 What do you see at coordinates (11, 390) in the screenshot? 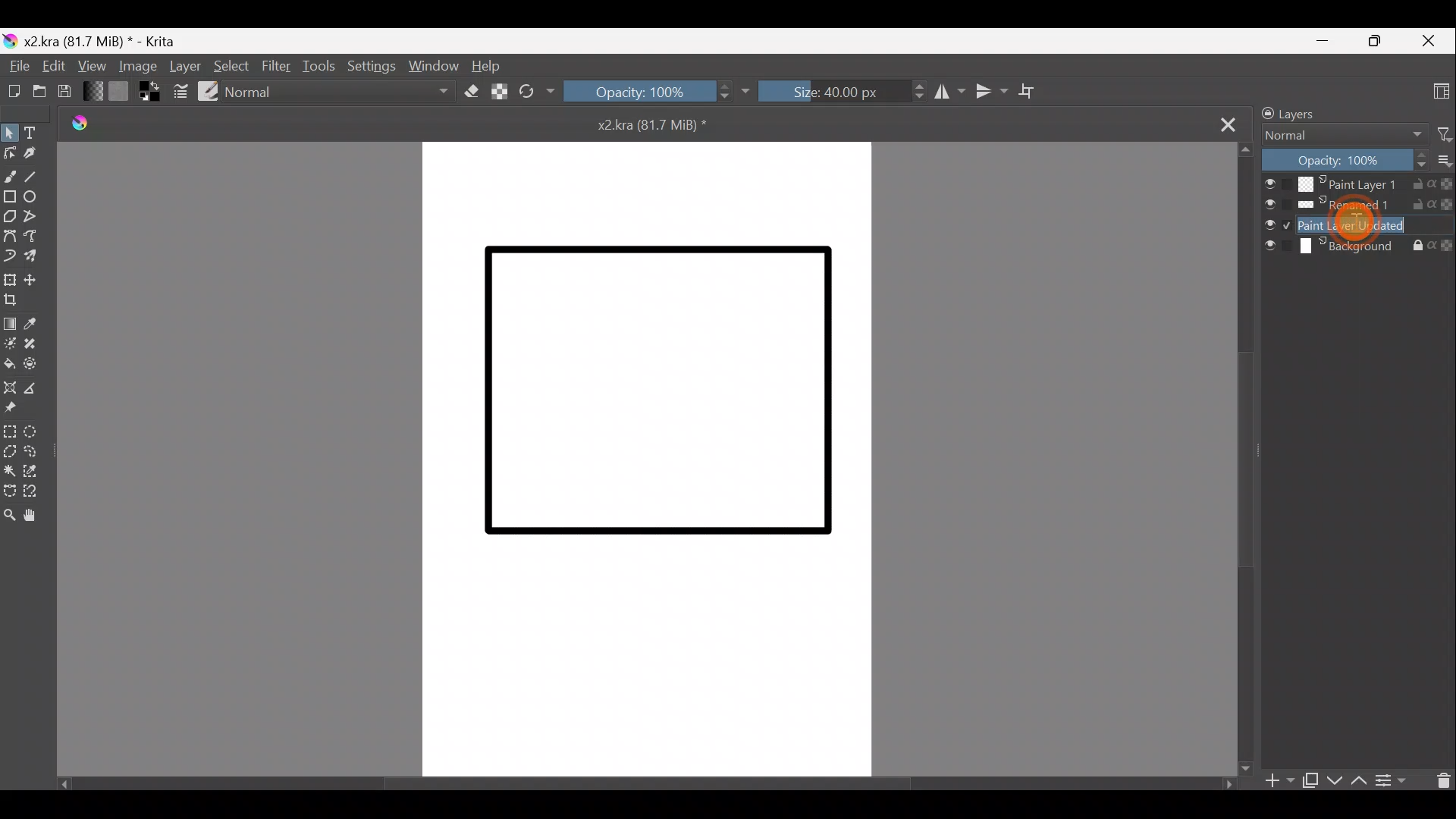
I see `Assistant tool` at bounding box center [11, 390].